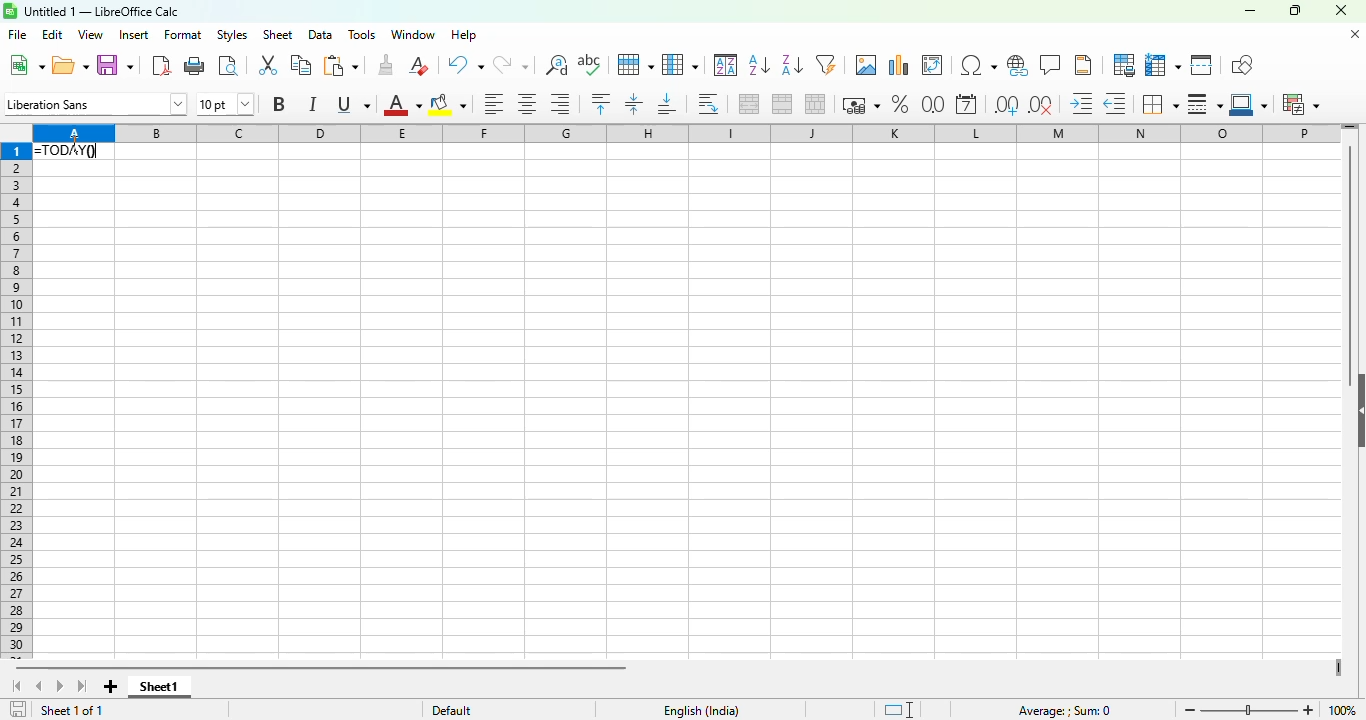 The image size is (1366, 720). I want to click on close document, so click(1355, 34).